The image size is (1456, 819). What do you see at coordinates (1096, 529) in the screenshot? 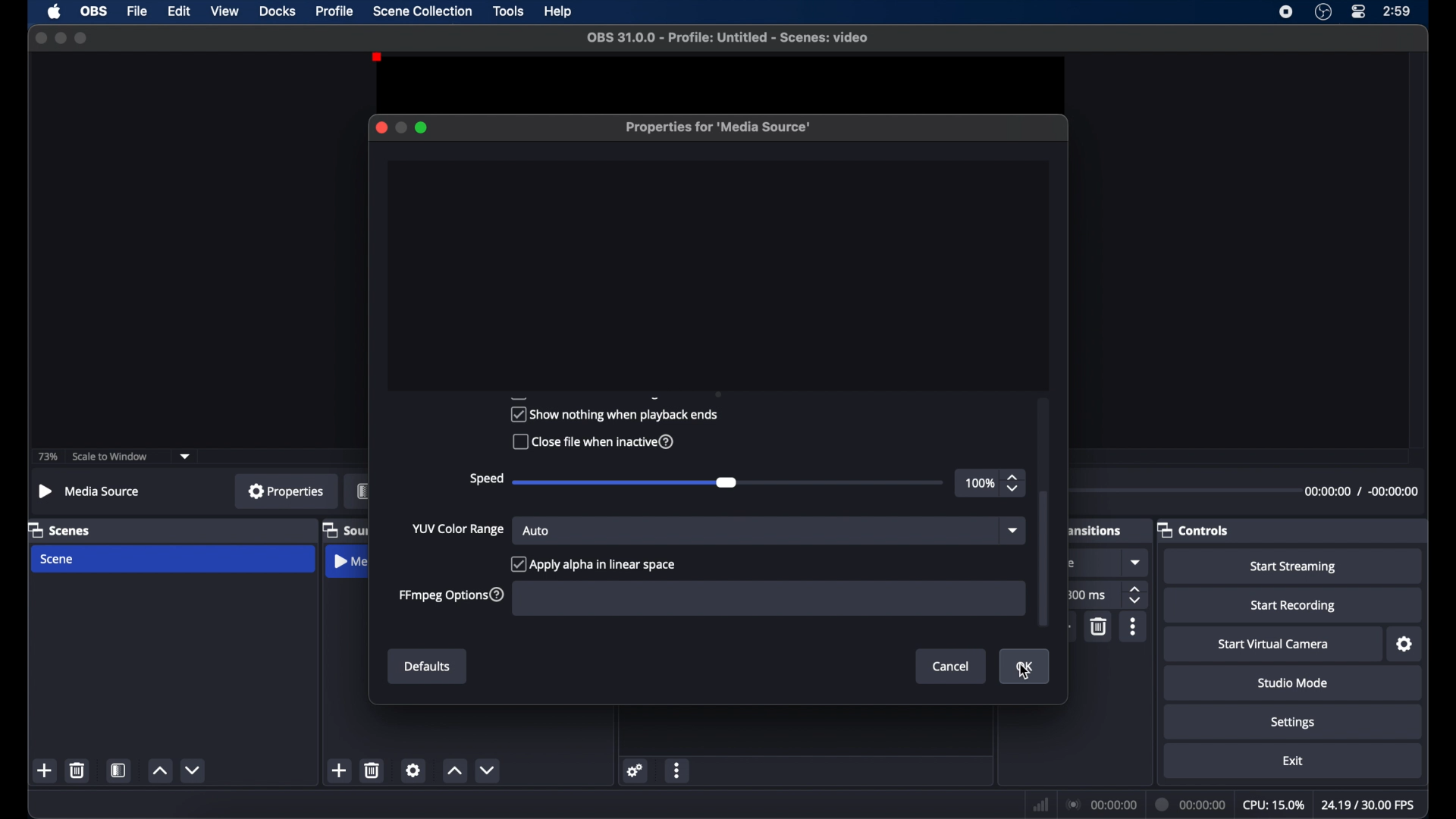
I see `obscure label` at bounding box center [1096, 529].